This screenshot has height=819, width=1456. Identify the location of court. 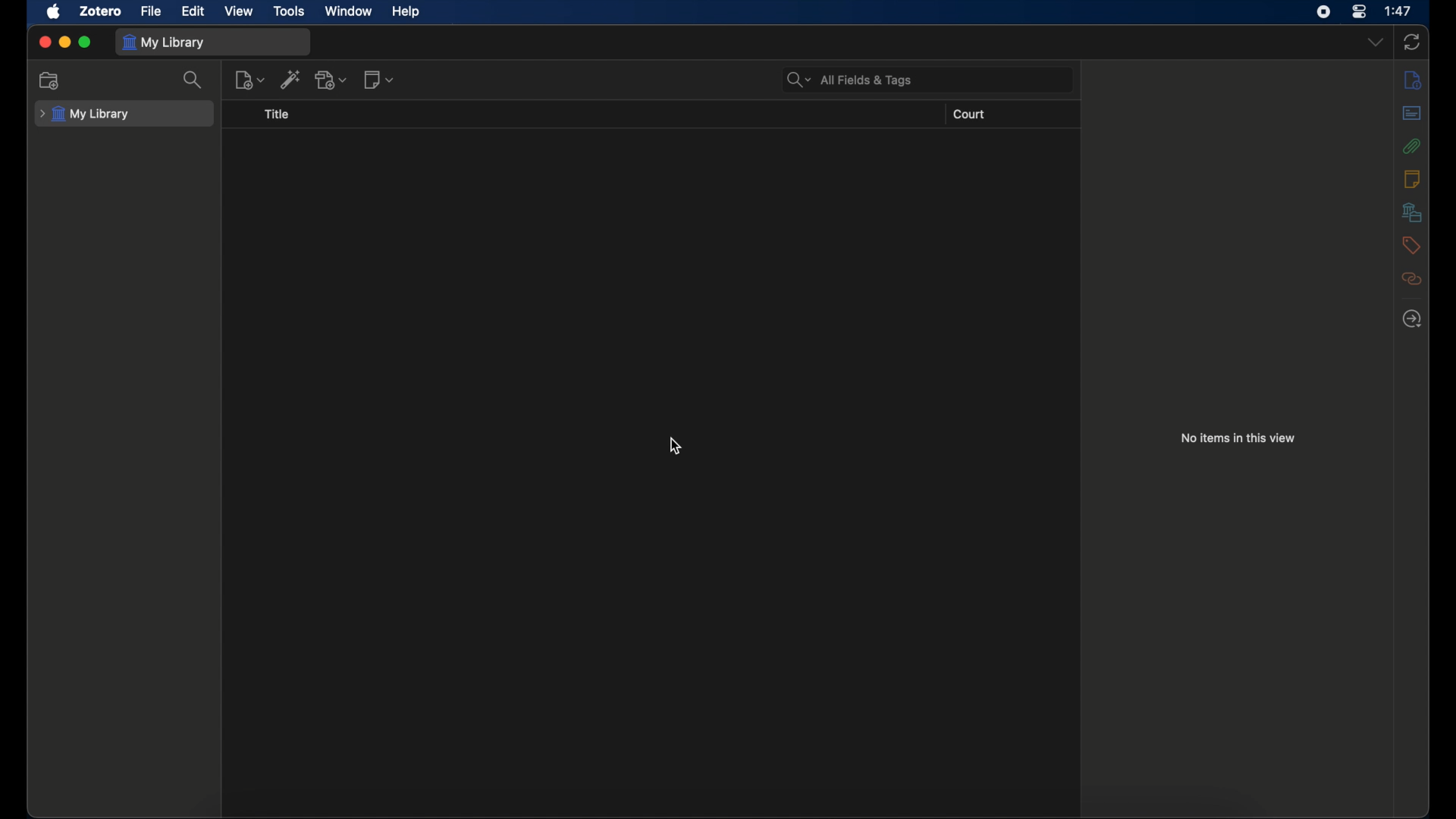
(970, 115).